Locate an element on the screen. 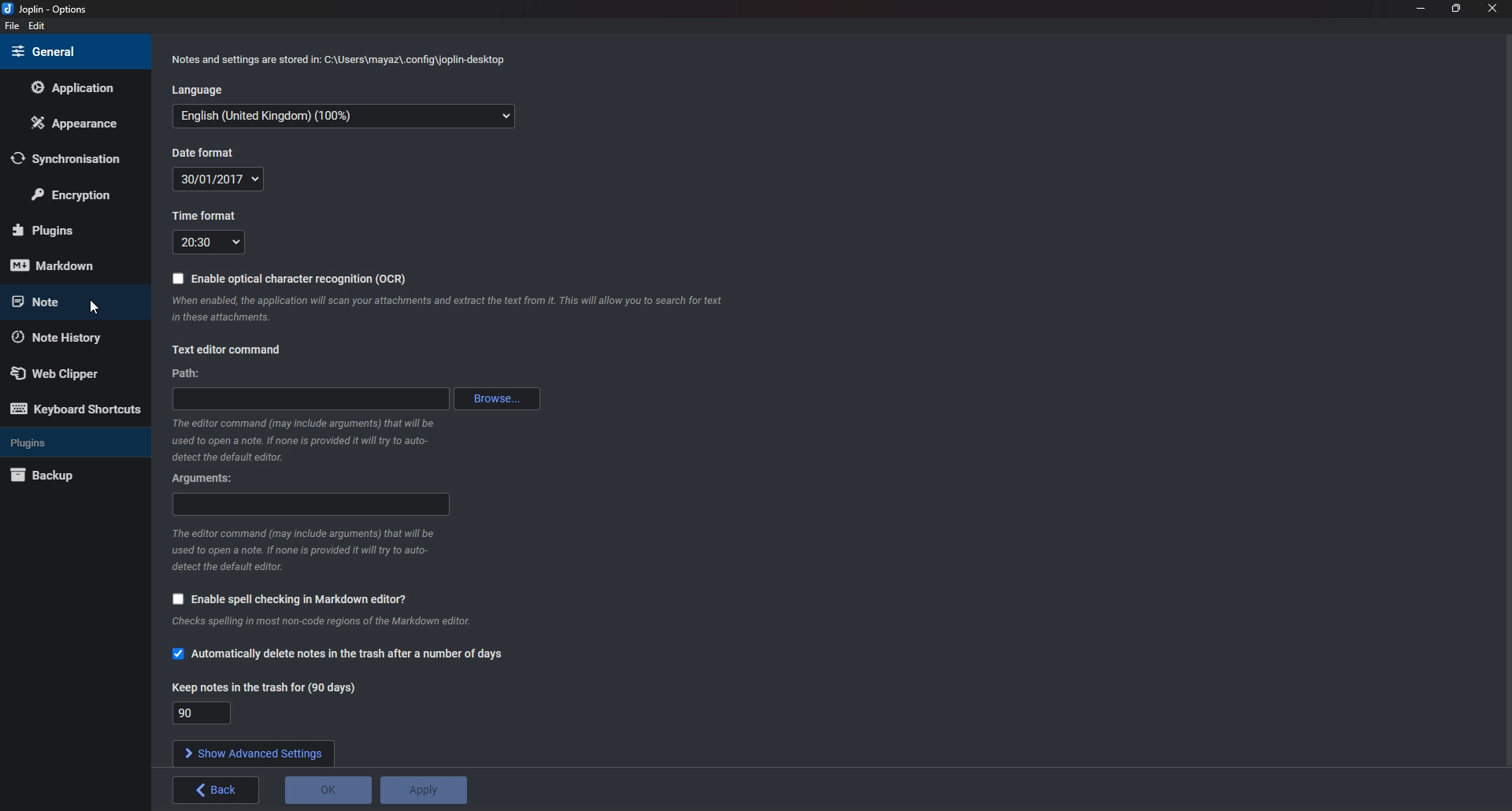 This screenshot has width=1512, height=811. file is located at coordinates (11, 27).